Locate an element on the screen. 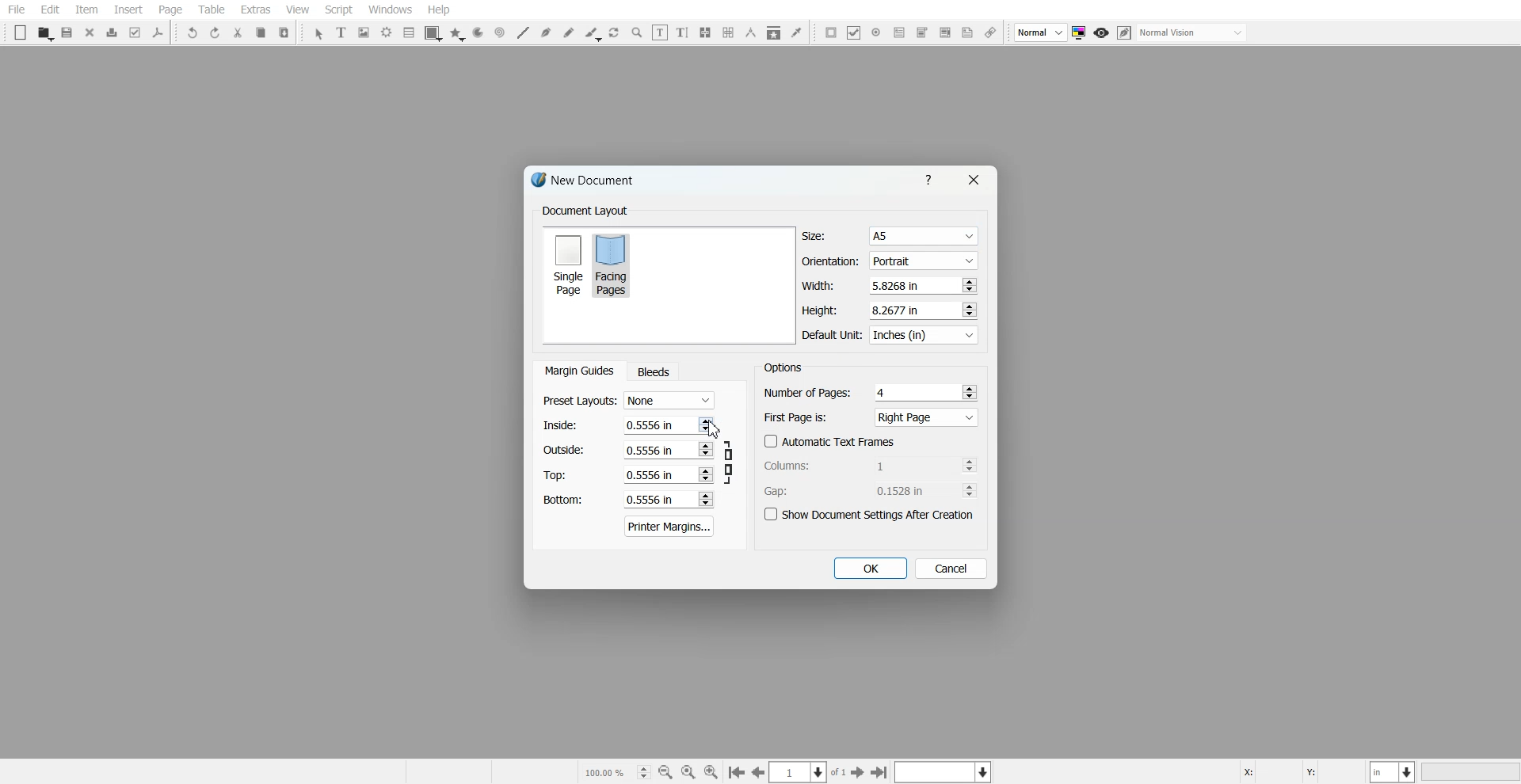  Height adjuster is located at coordinates (890, 310).